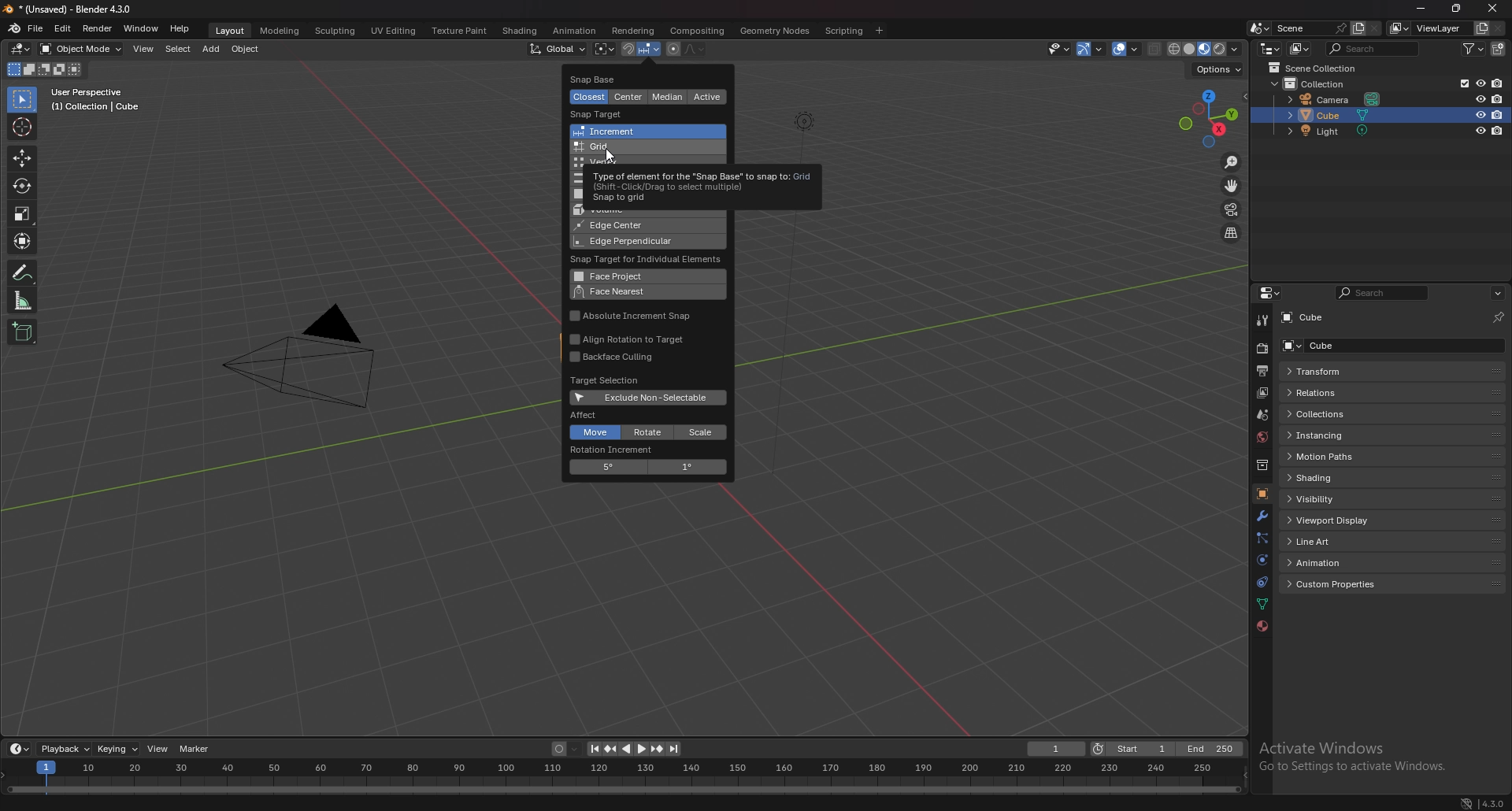 Image resolution: width=1512 pixels, height=811 pixels. What do you see at coordinates (1232, 163) in the screenshot?
I see `zoom` at bounding box center [1232, 163].